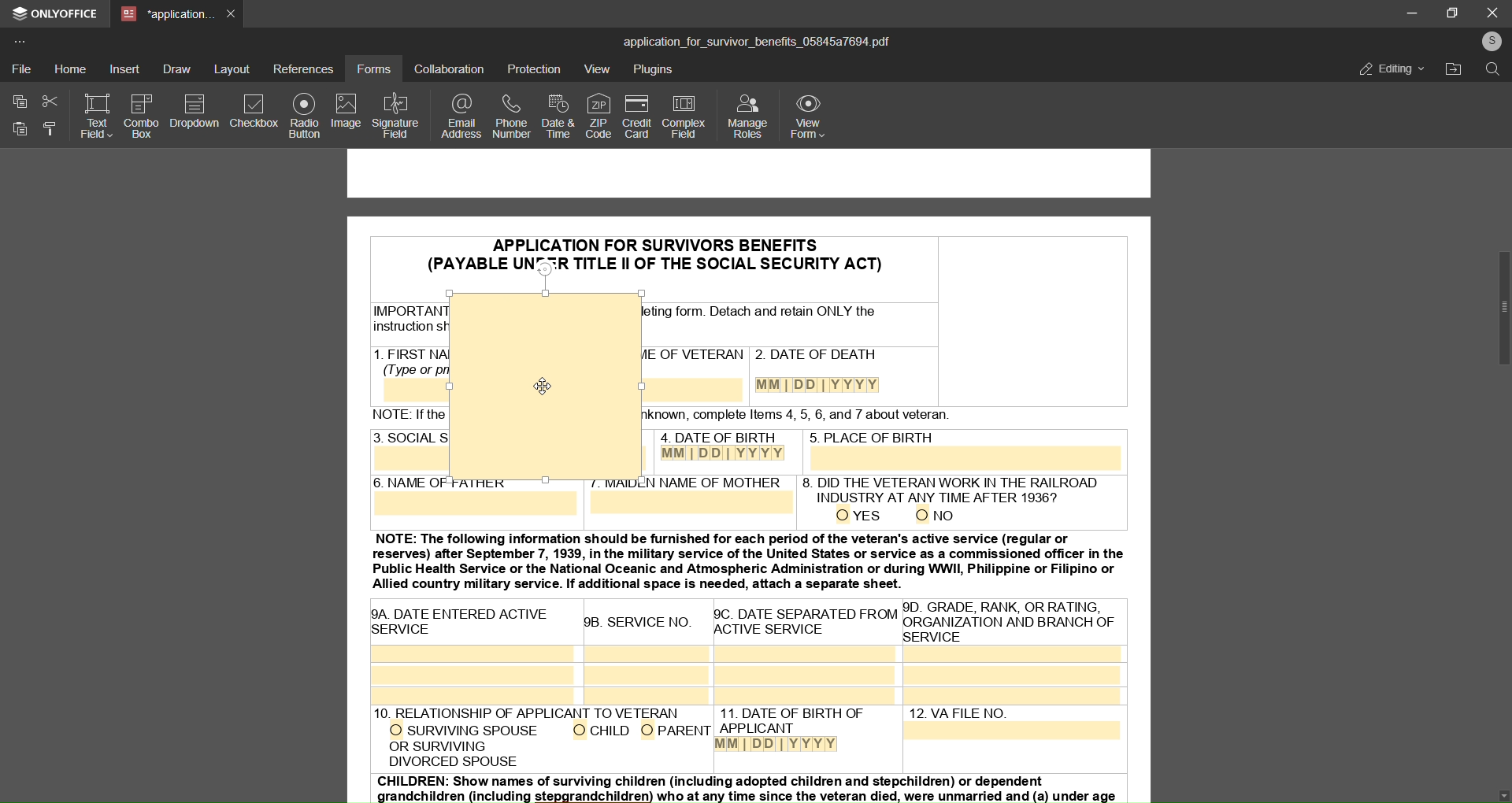  Describe the element at coordinates (196, 112) in the screenshot. I see `dropdown` at that location.